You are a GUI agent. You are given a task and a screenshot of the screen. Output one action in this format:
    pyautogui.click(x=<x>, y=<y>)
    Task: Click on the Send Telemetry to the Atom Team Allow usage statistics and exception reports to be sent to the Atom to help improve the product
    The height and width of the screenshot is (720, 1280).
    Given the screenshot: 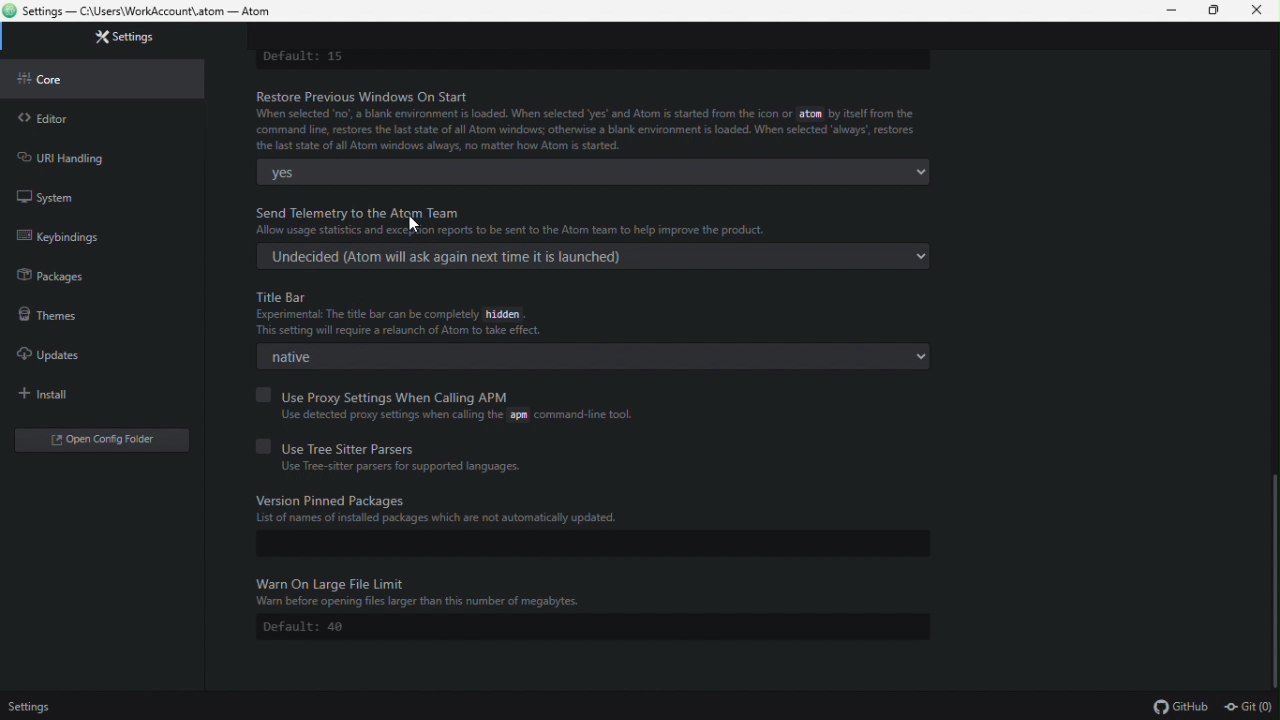 What is the action you would take?
    pyautogui.click(x=498, y=223)
    